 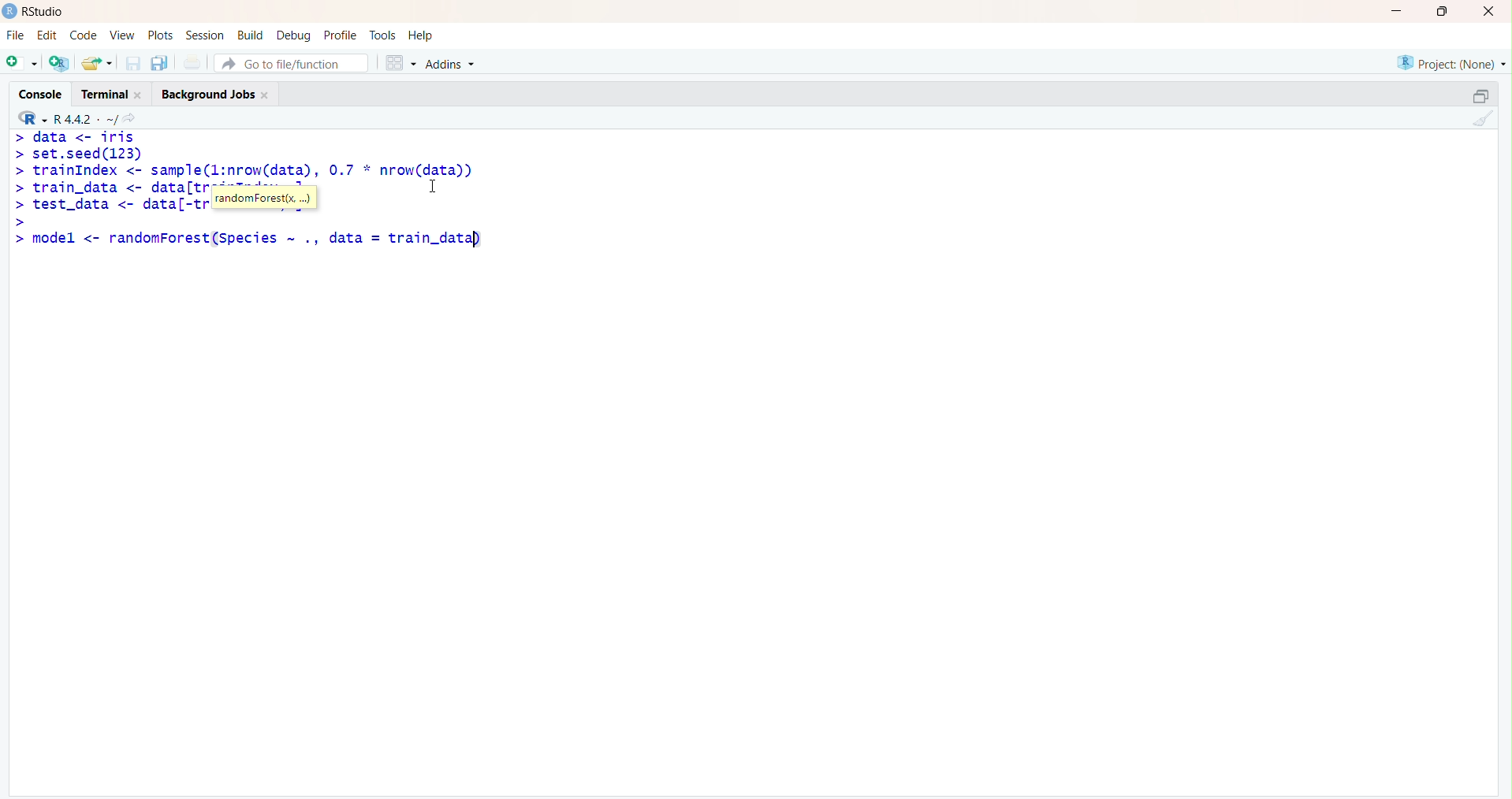 What do you see at coordinates (290, 61) in the screenshot?
I see `Go to file/function` at bounding box center [290, 61].